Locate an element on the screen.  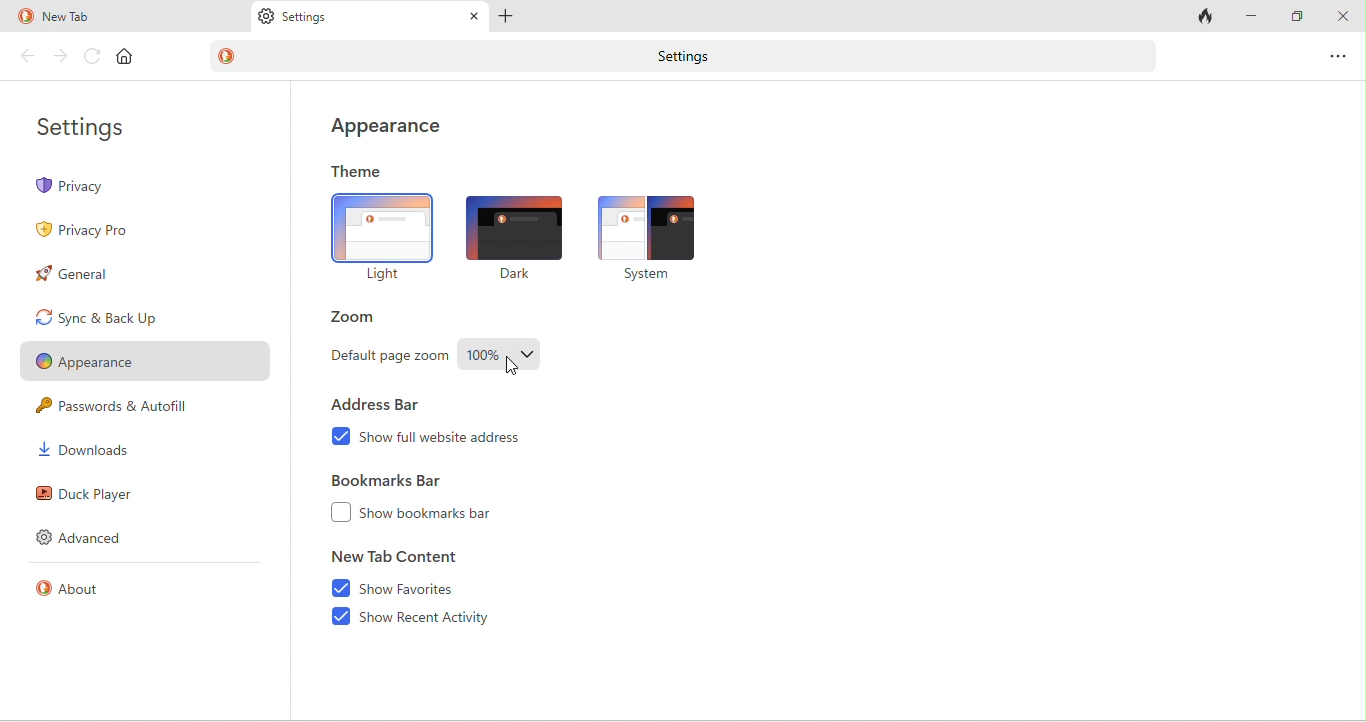
bookmarks bar is located at coordinates (401, 480).